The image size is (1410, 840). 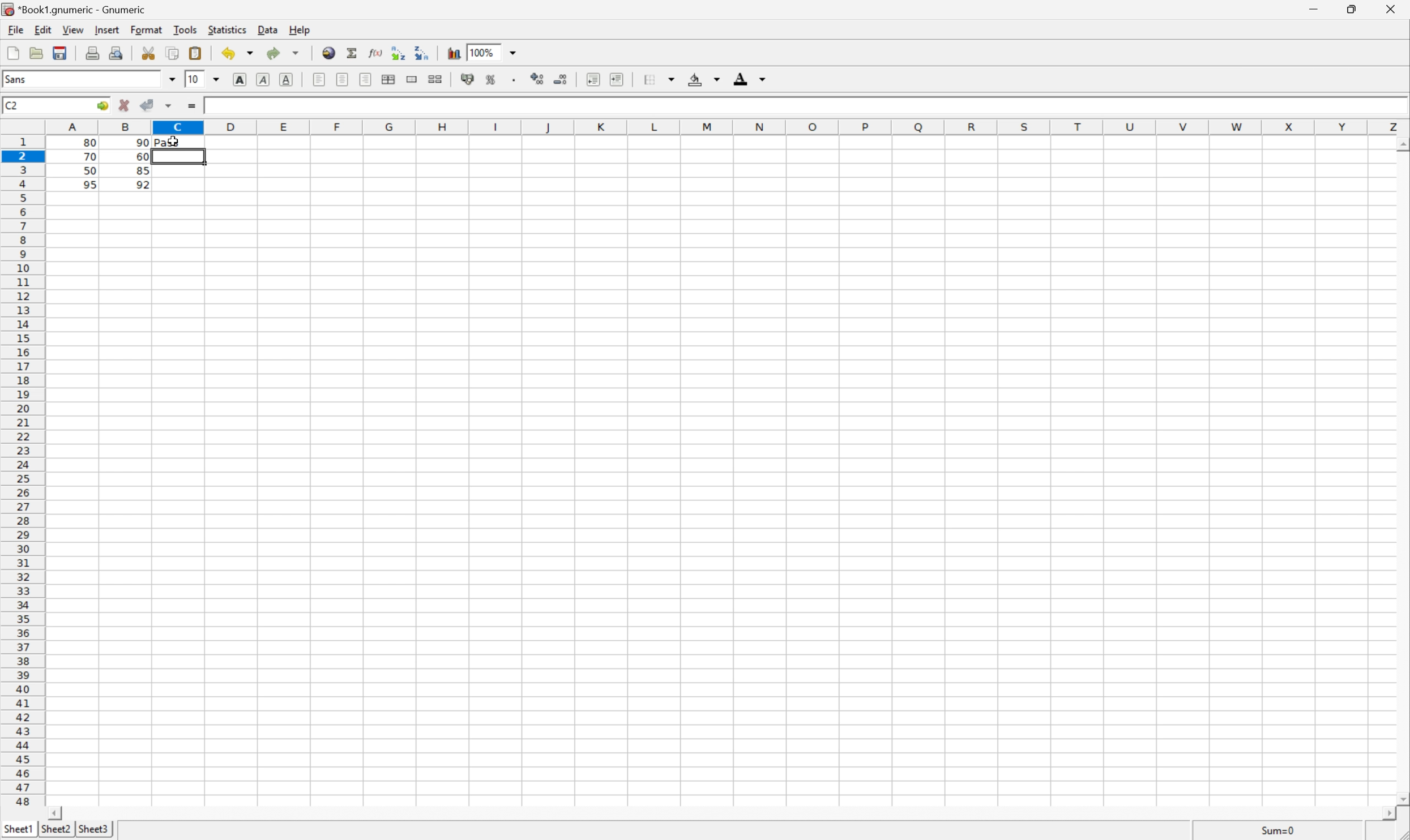 I want to click on Column names, so click(x=727, y=127).